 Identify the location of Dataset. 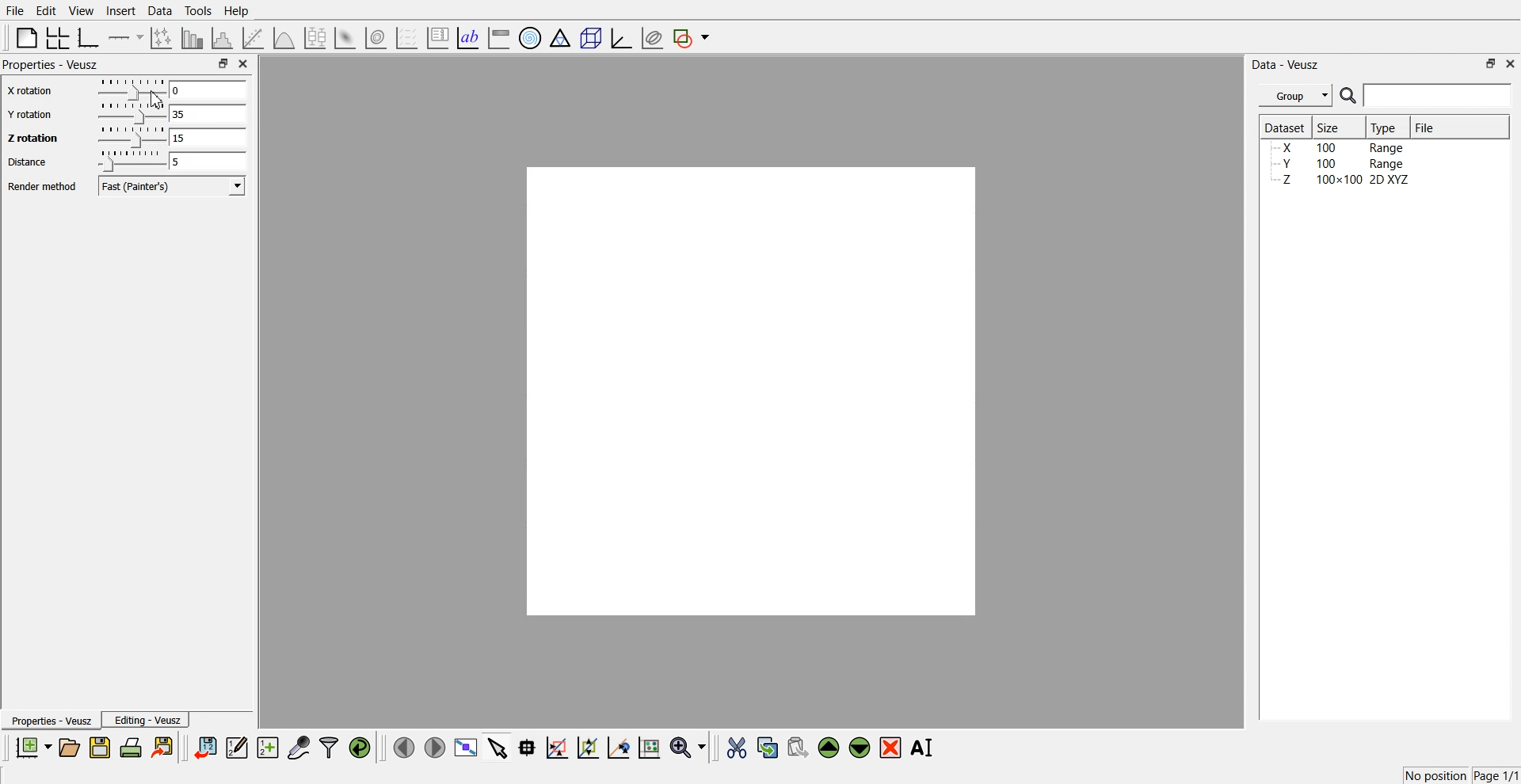
(1285, 127).